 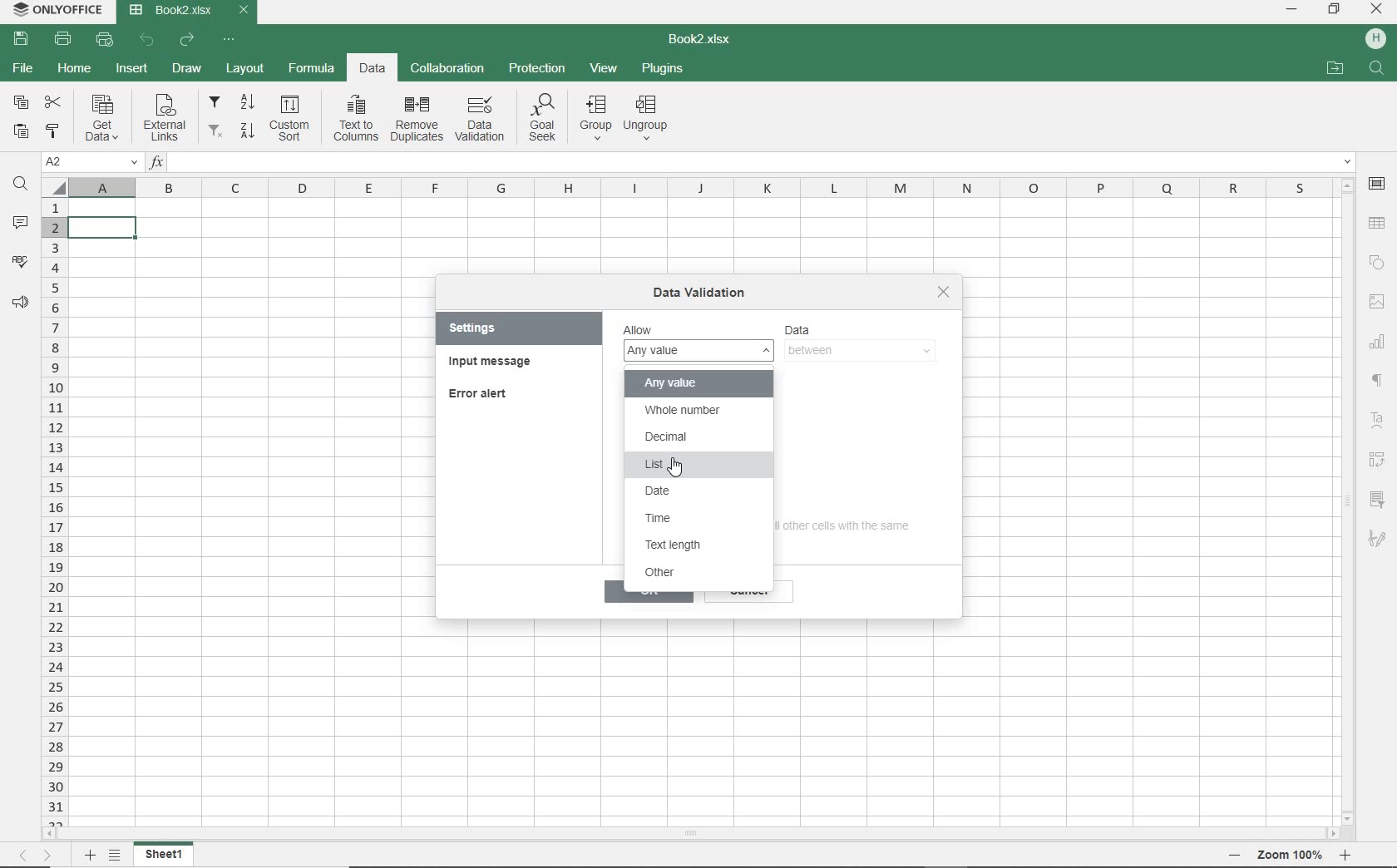 I want to click on CELL SETTINGS, so click(x=1377, y=184).